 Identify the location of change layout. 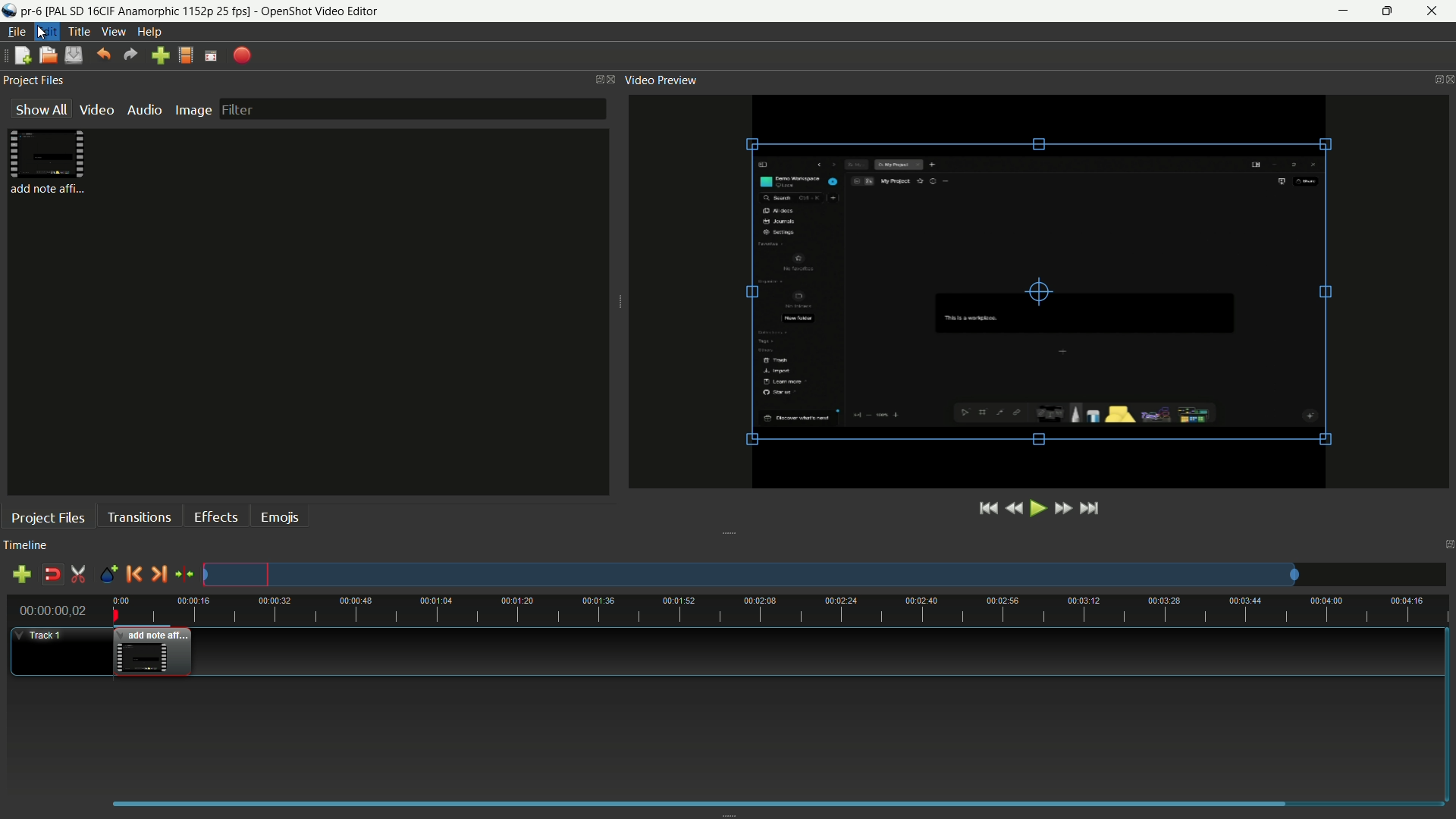
(1433, 78).